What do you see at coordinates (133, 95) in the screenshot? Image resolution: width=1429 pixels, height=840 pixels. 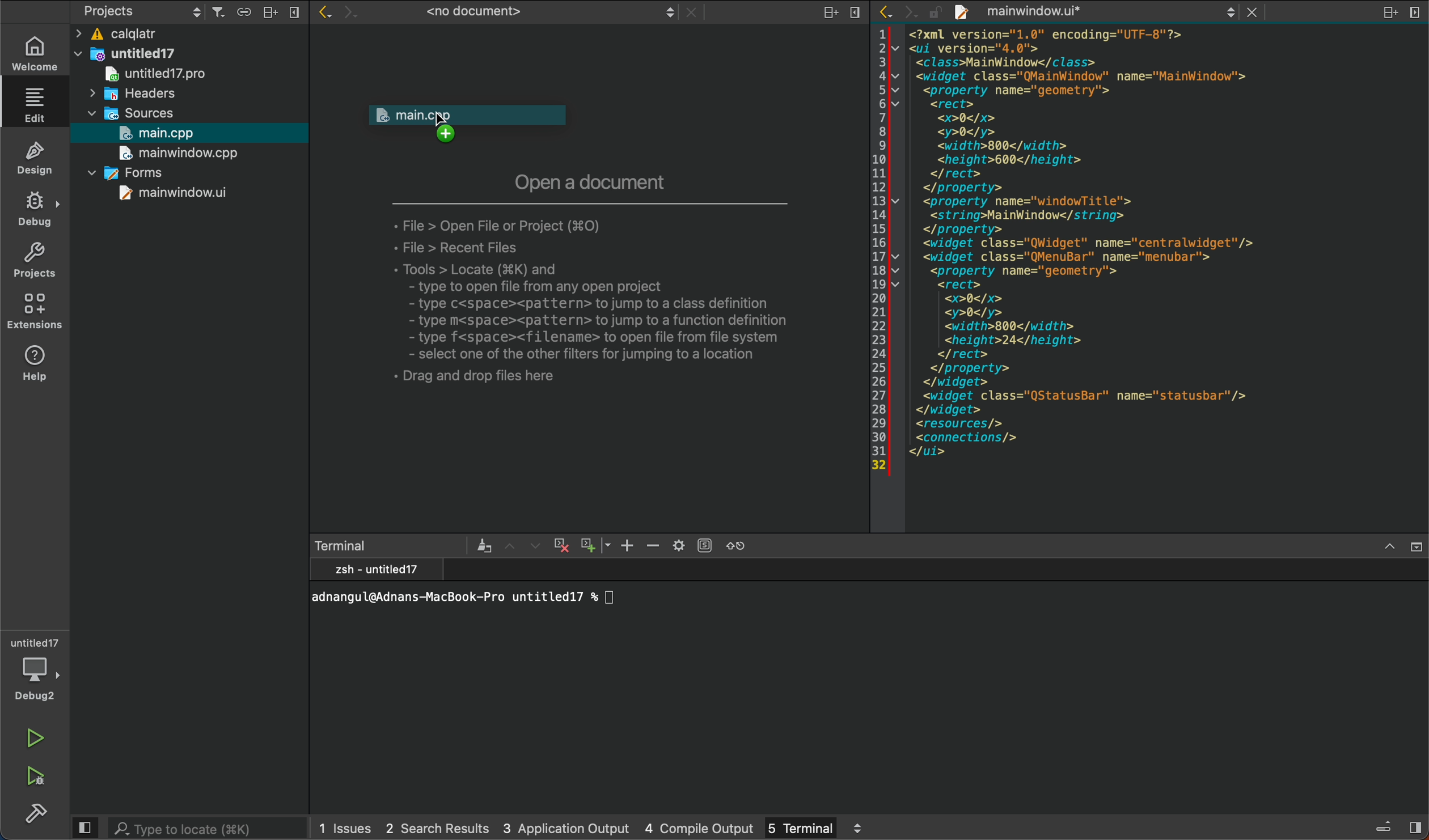 I see `headers` at bounding box center [133, 95].